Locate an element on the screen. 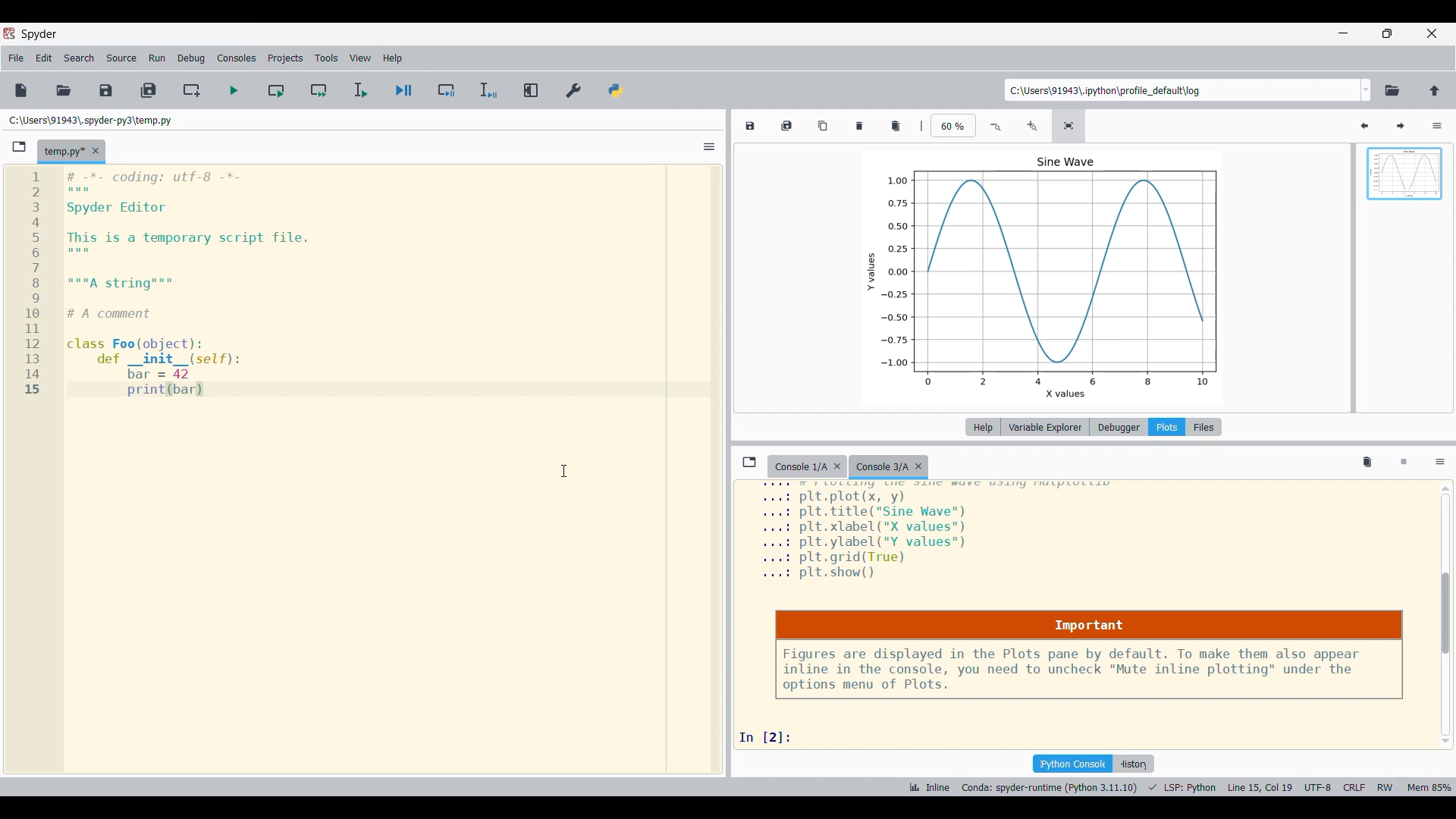 This screenshot has width=1456, height=819. RW is located at coordinates (1385, 786).